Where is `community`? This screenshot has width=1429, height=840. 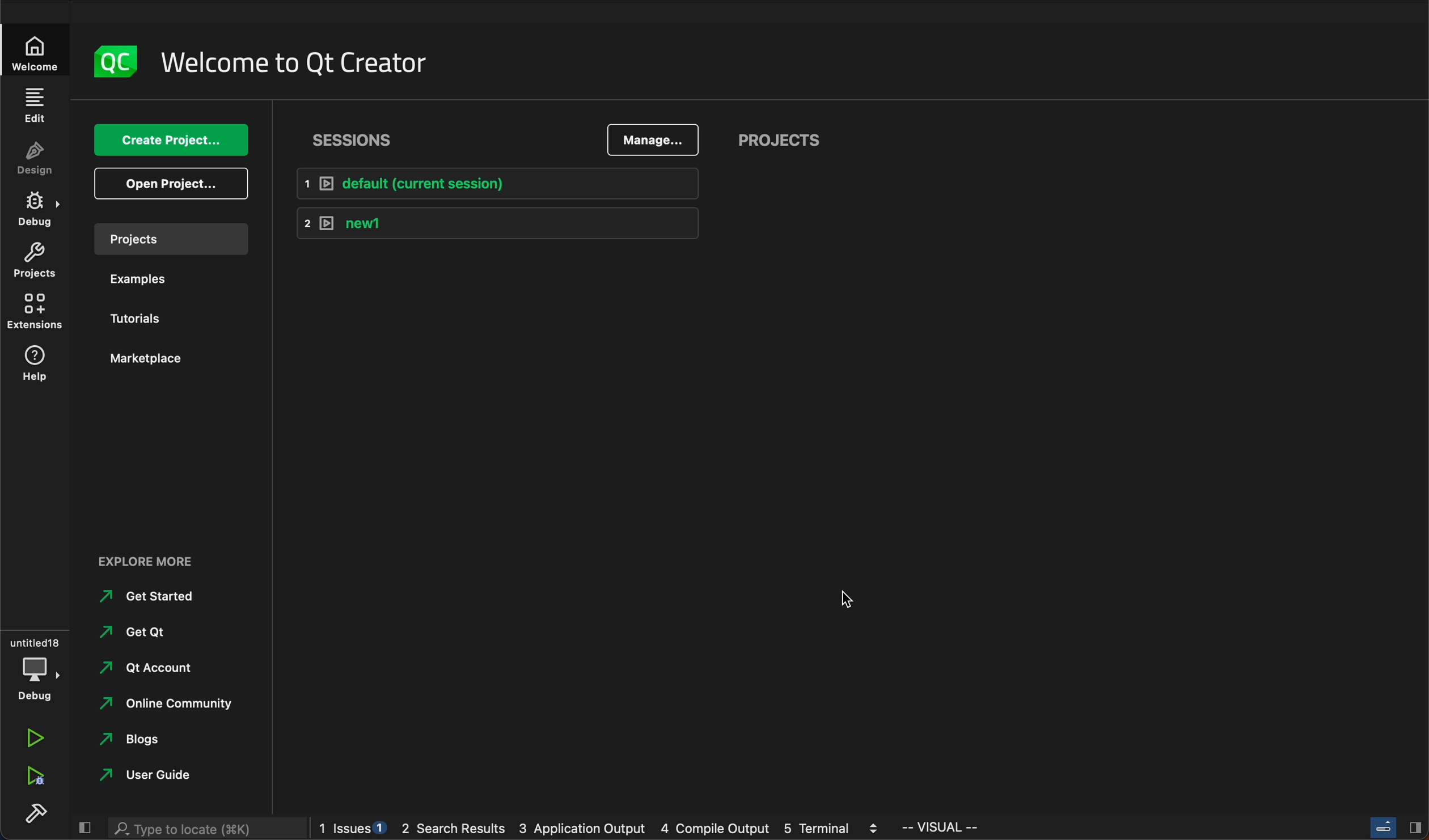
community is located at coordinates (171, 705).